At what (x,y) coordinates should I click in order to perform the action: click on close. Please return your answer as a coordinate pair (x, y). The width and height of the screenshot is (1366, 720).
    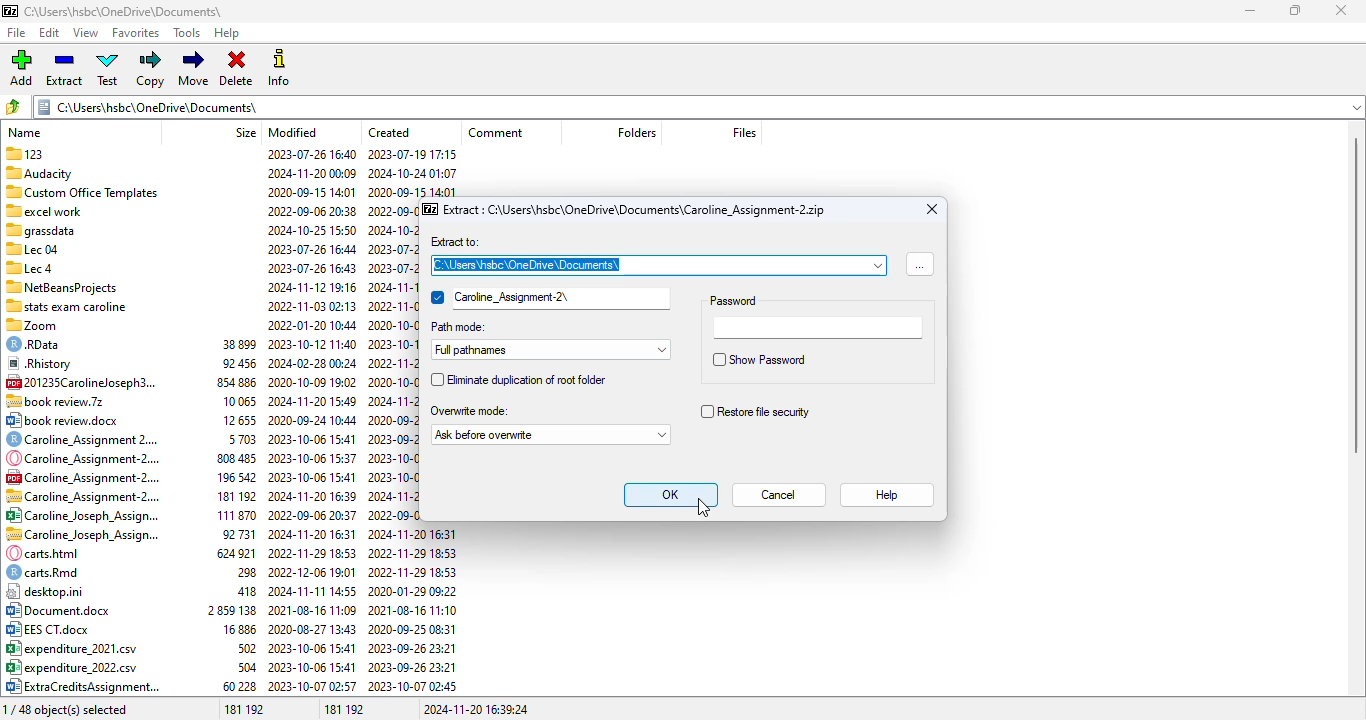
    Looking at the image, I should click on (1340, 10).